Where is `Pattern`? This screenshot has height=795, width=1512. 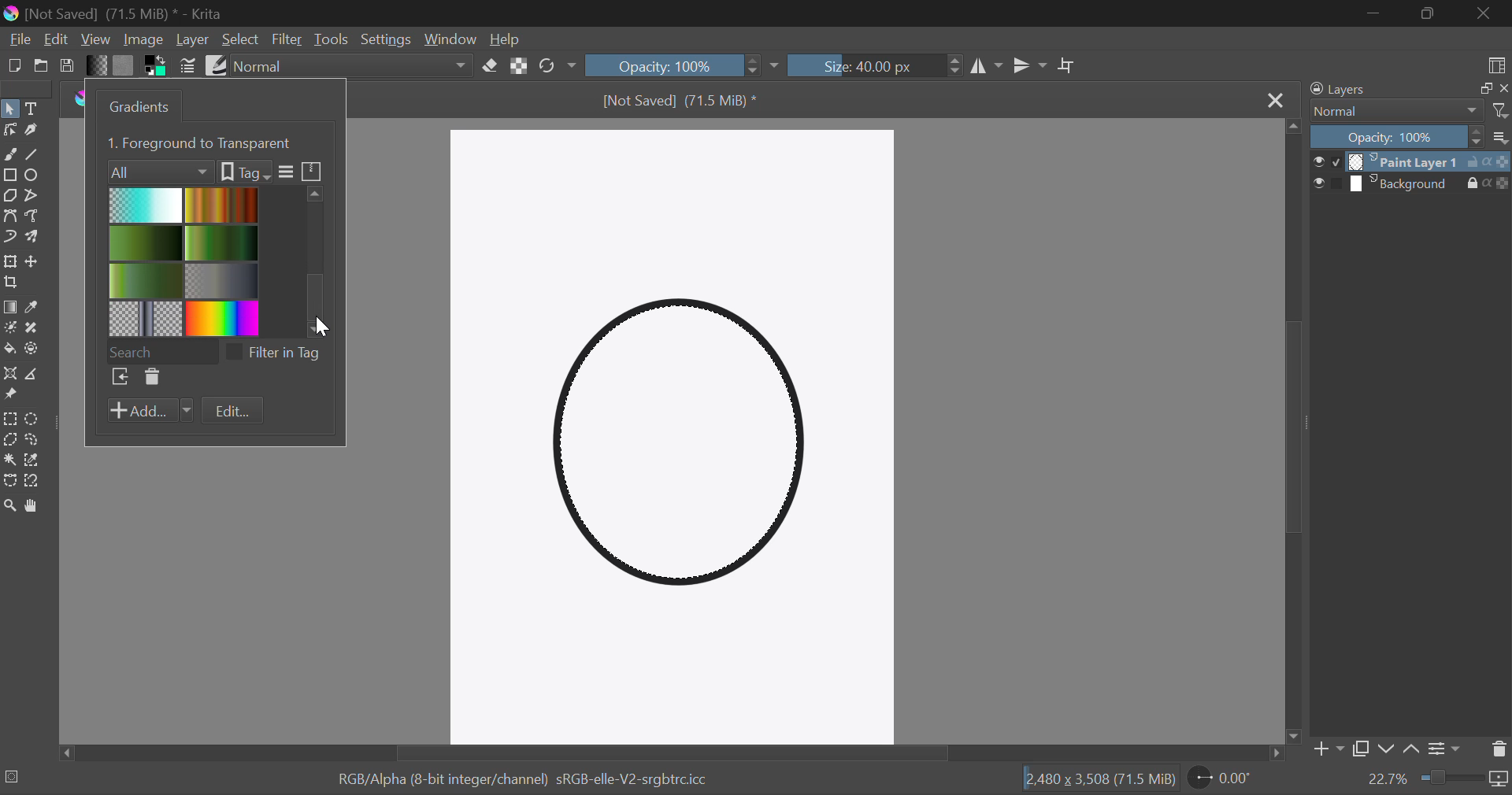 Pattern is located at coordinates (146, 317).